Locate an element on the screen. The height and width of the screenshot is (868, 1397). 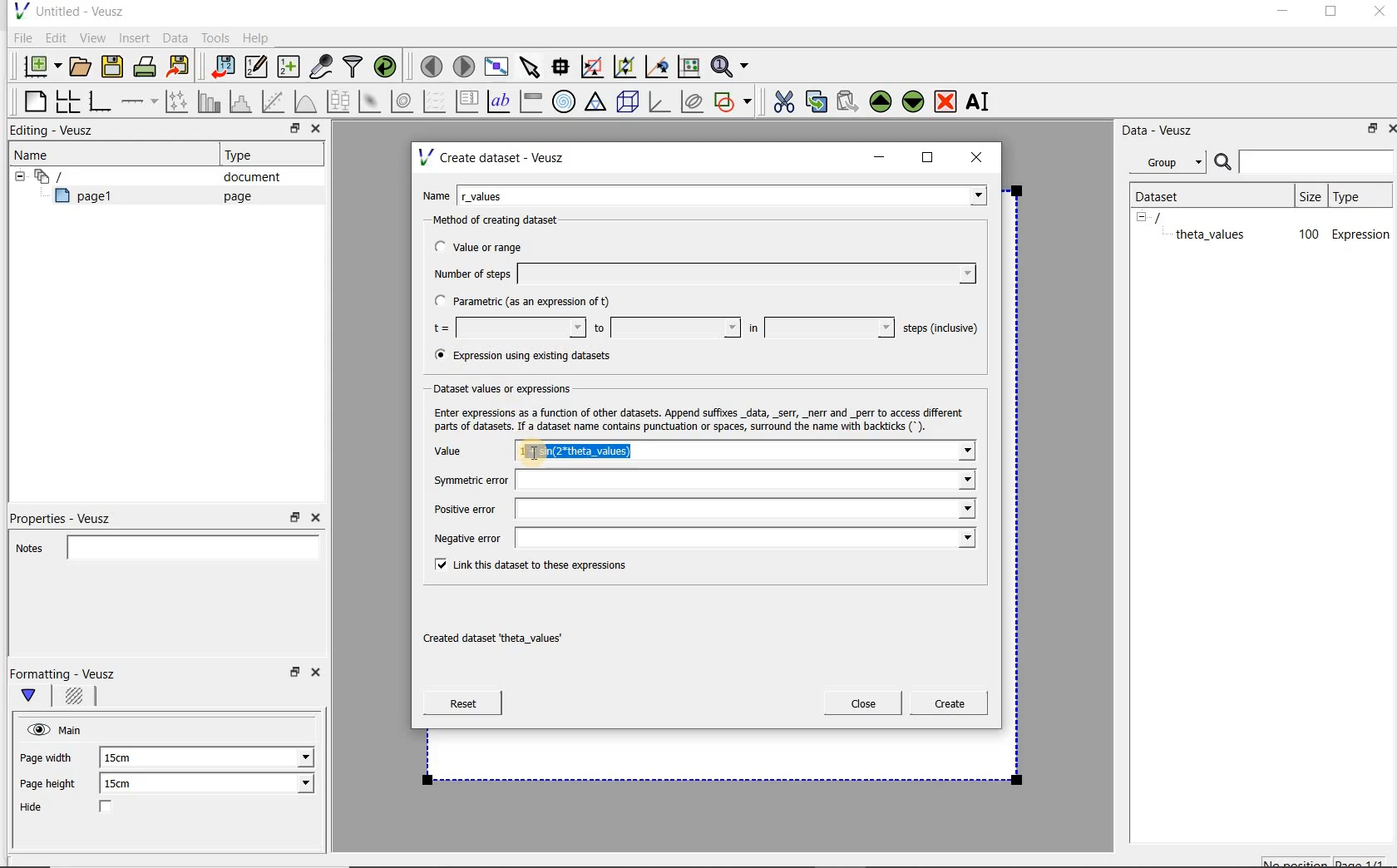
size is located at coordinates (1309, 194).